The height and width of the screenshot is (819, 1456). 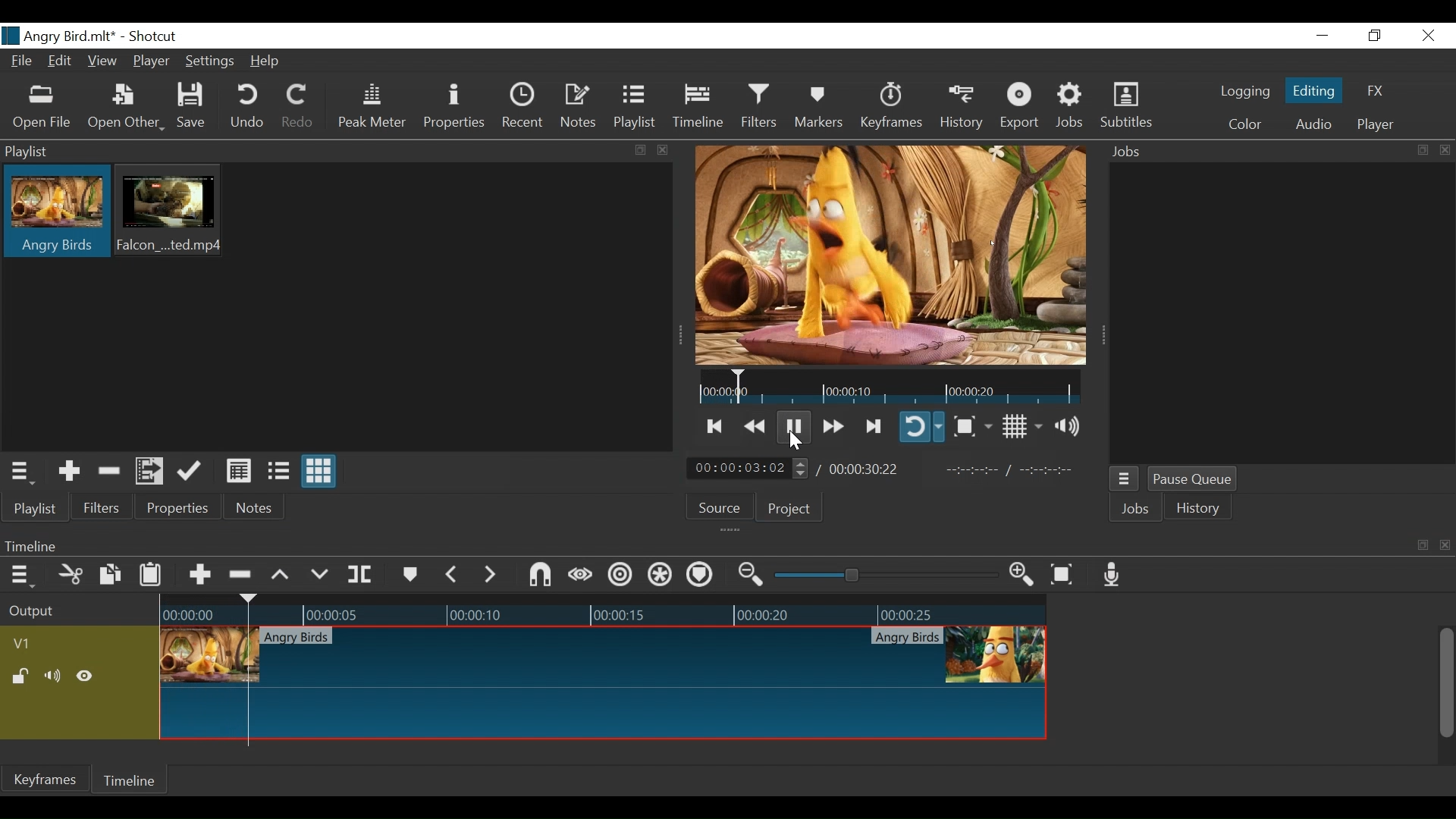 What do you see at coordinates (242, 573) in the screenshot?
I see `Ripple Delete` at bounding box center [242, 573].